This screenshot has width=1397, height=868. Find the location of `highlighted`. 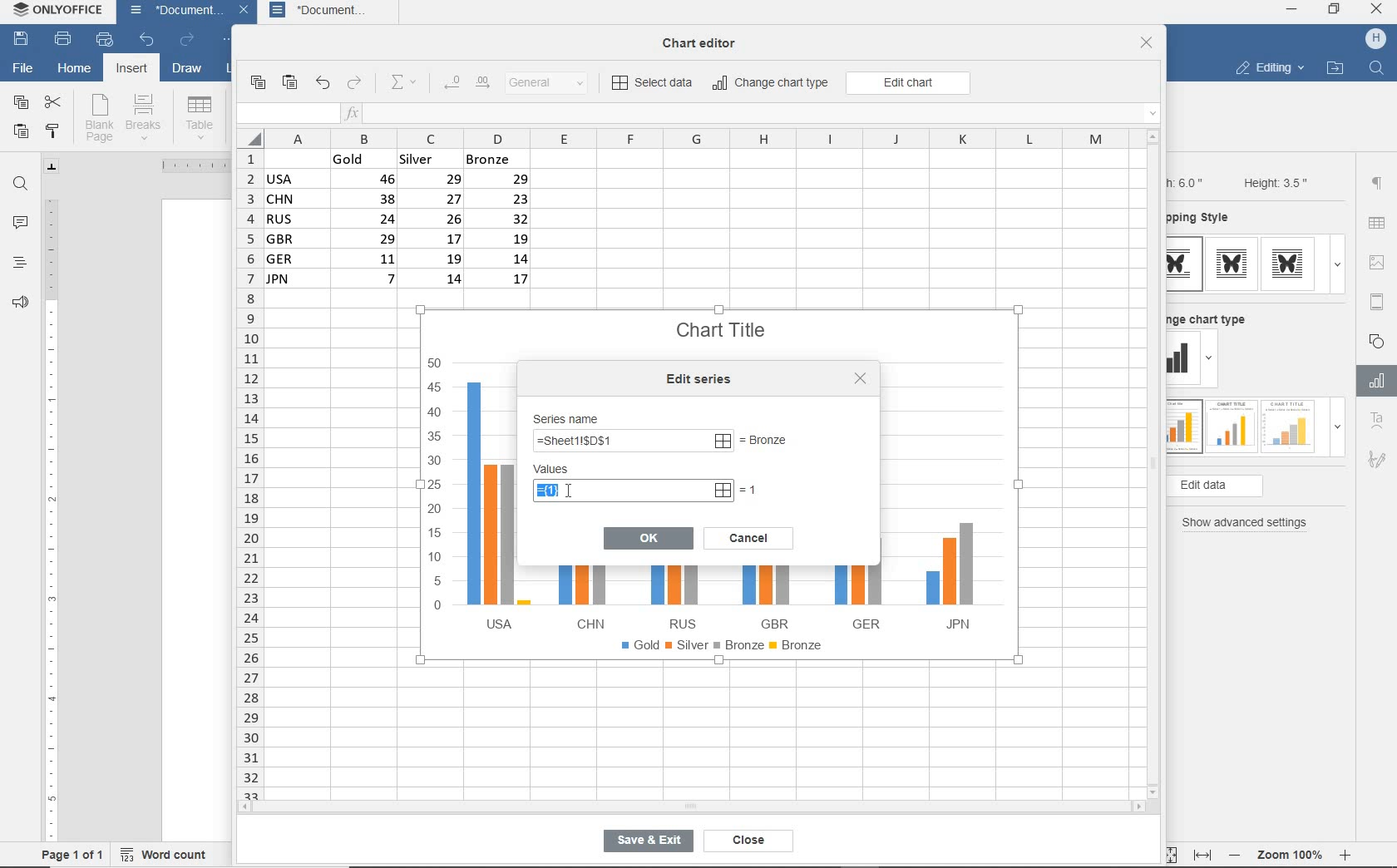

highlighted is located at coordinates (632, 491).